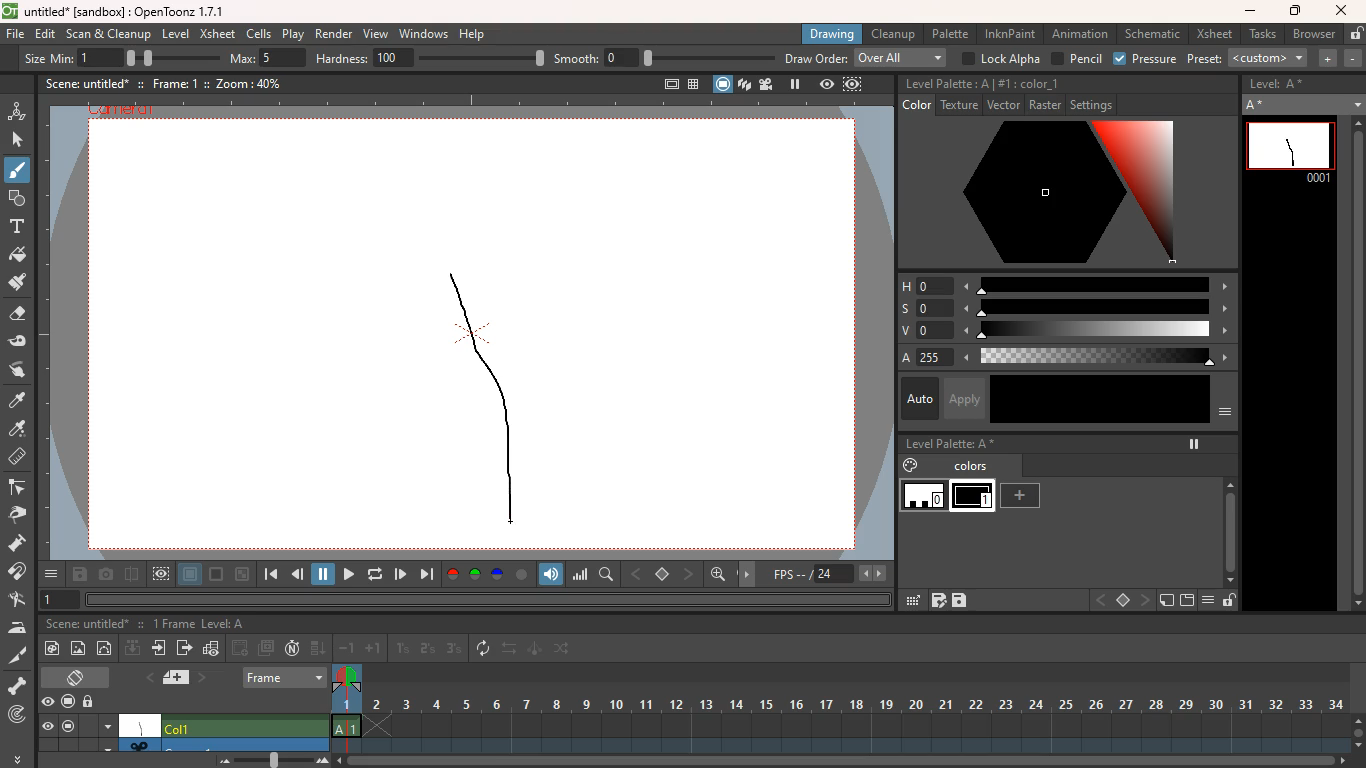  Describe the element at coordinates (299, 576) in the screenshot. I see `back` at that location.